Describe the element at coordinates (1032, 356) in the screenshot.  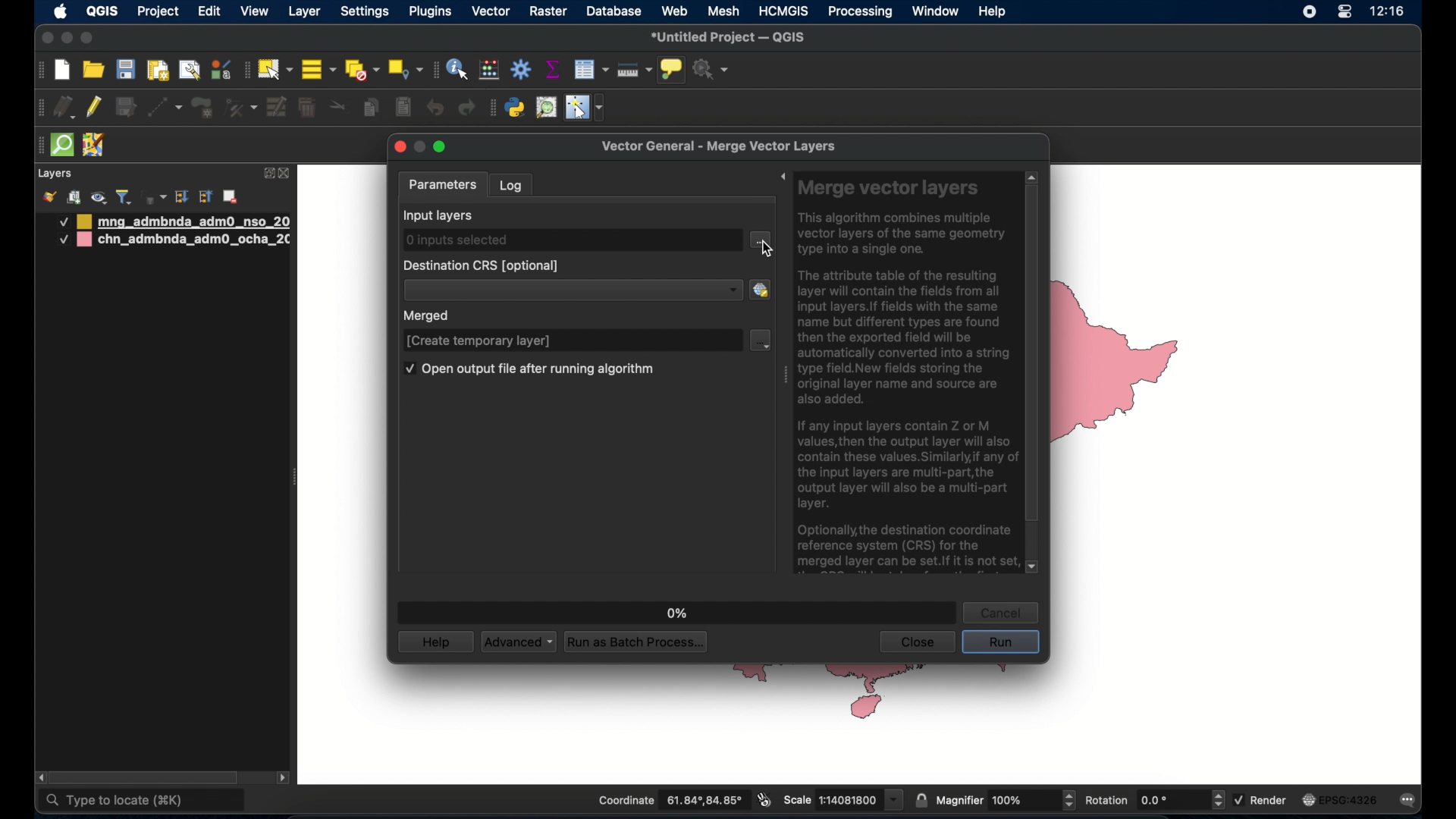
I see `scroll box` at that location.